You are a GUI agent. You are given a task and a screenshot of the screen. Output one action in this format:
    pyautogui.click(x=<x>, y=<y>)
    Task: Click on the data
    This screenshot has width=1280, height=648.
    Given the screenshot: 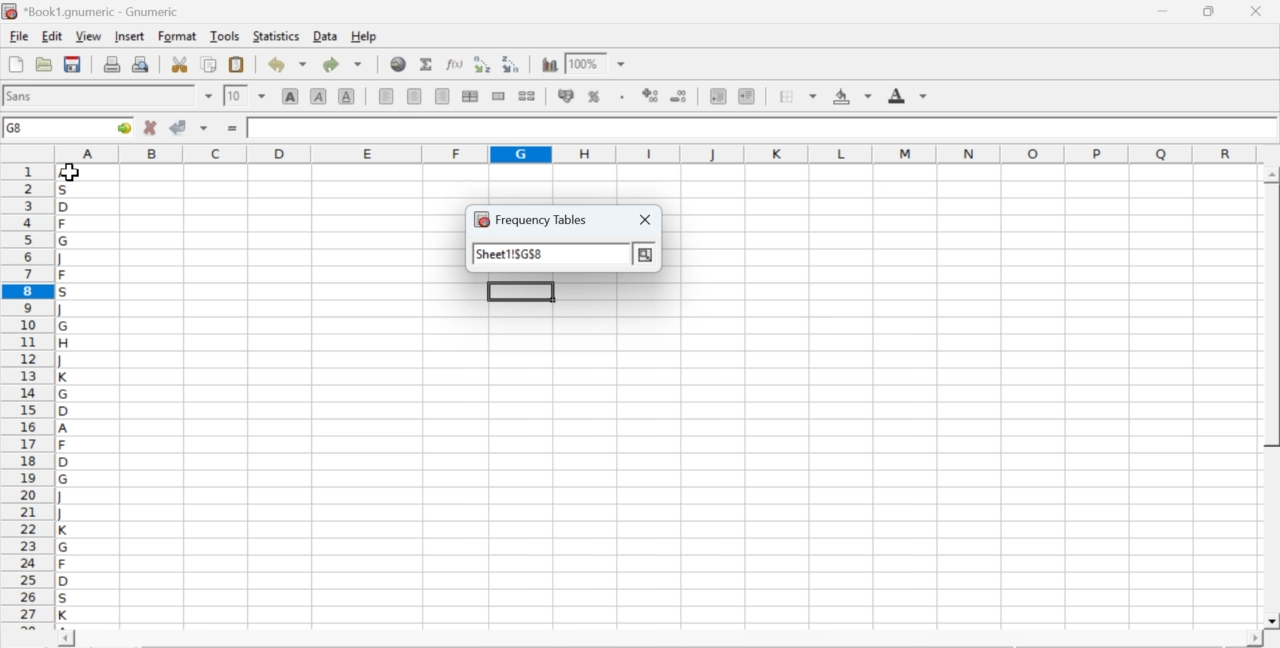 What is the action you would take?
    pyautogui.click(x=327, y=35)
    